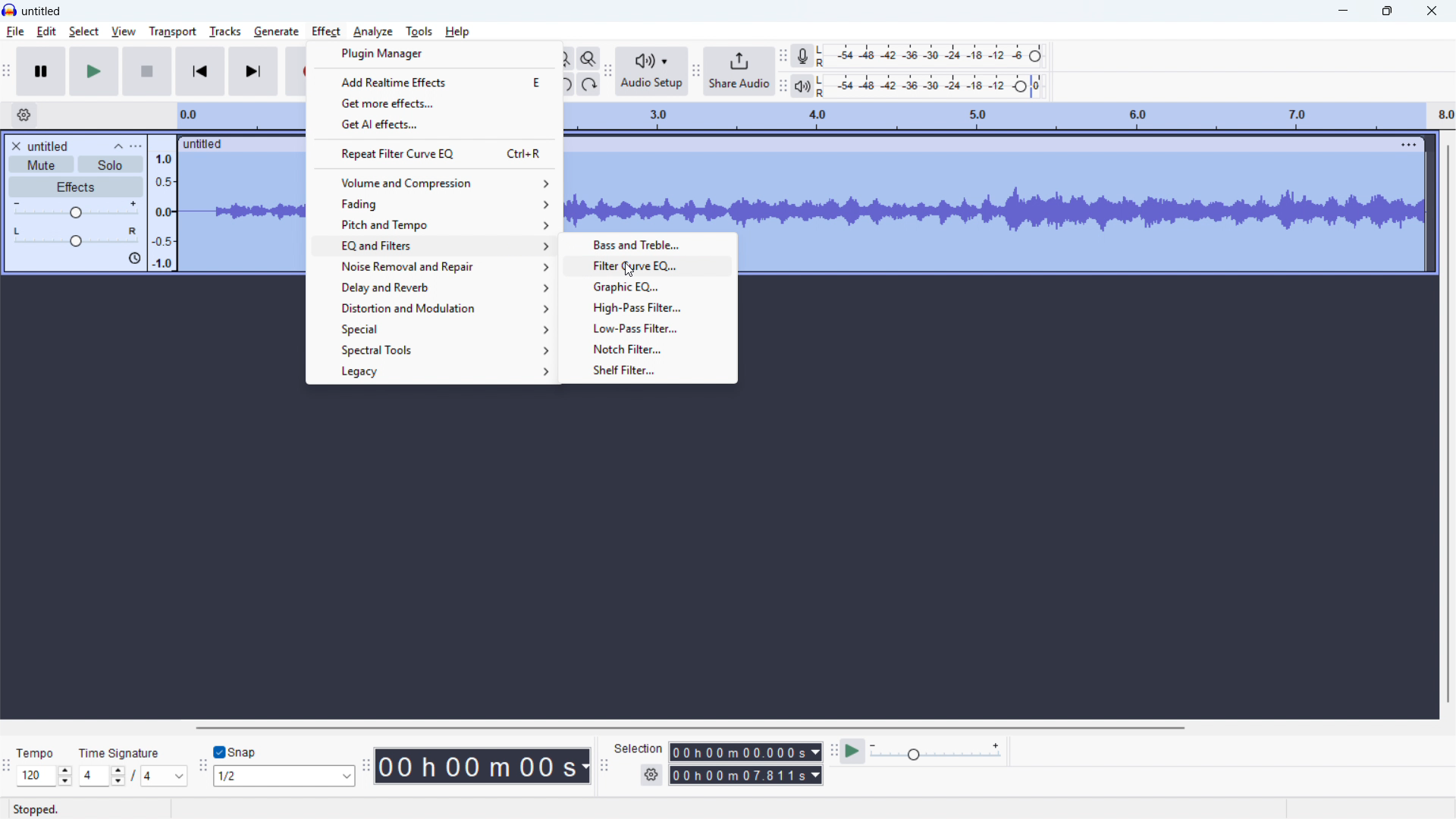  Describe the element at coordinates (435, 123) in the screenshot. I see `Get AI effects ` at that location.